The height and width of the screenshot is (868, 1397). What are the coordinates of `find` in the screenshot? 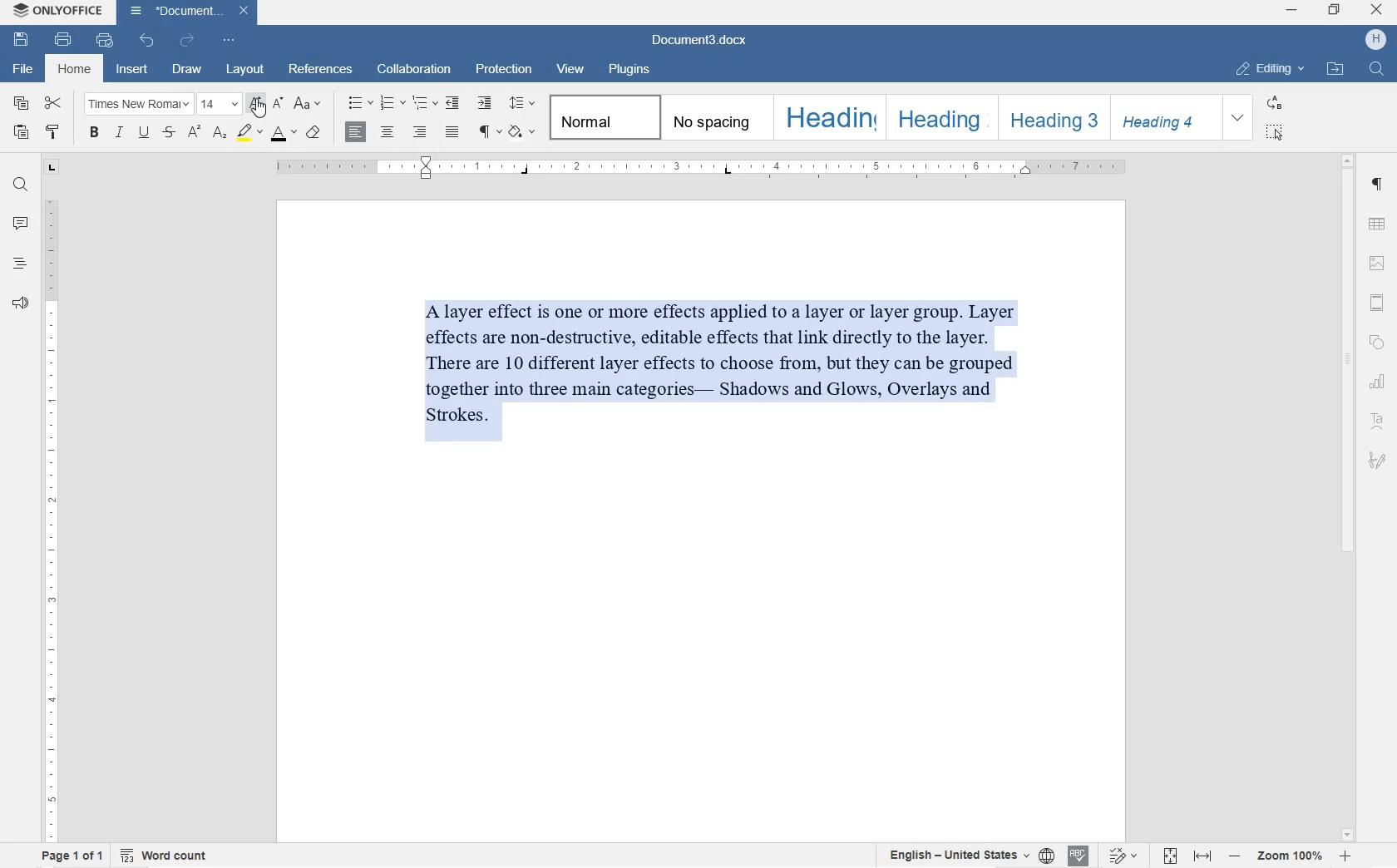 It's located at (21, 188).